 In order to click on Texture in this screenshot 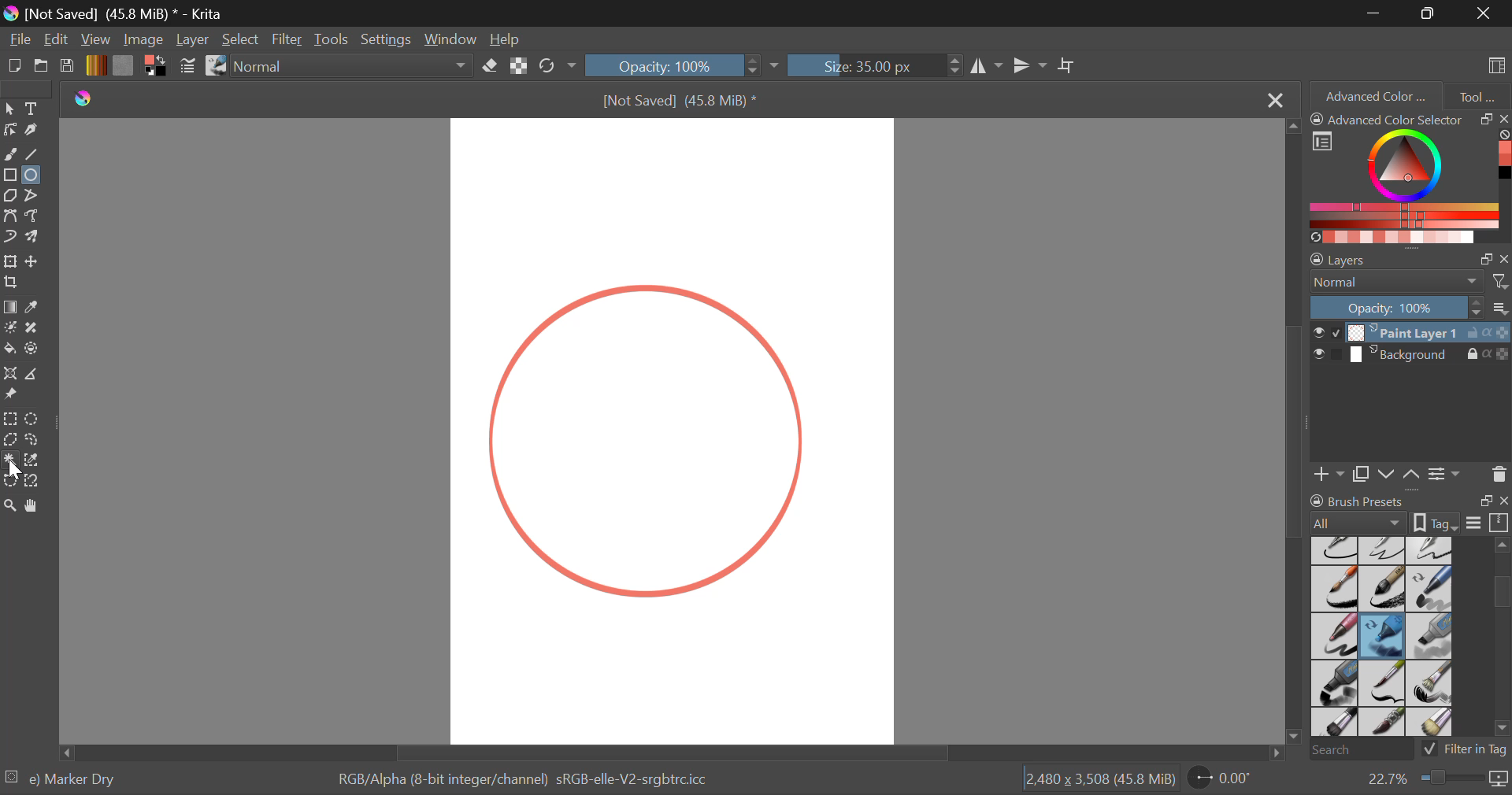, I will do `click(123, 65)`.